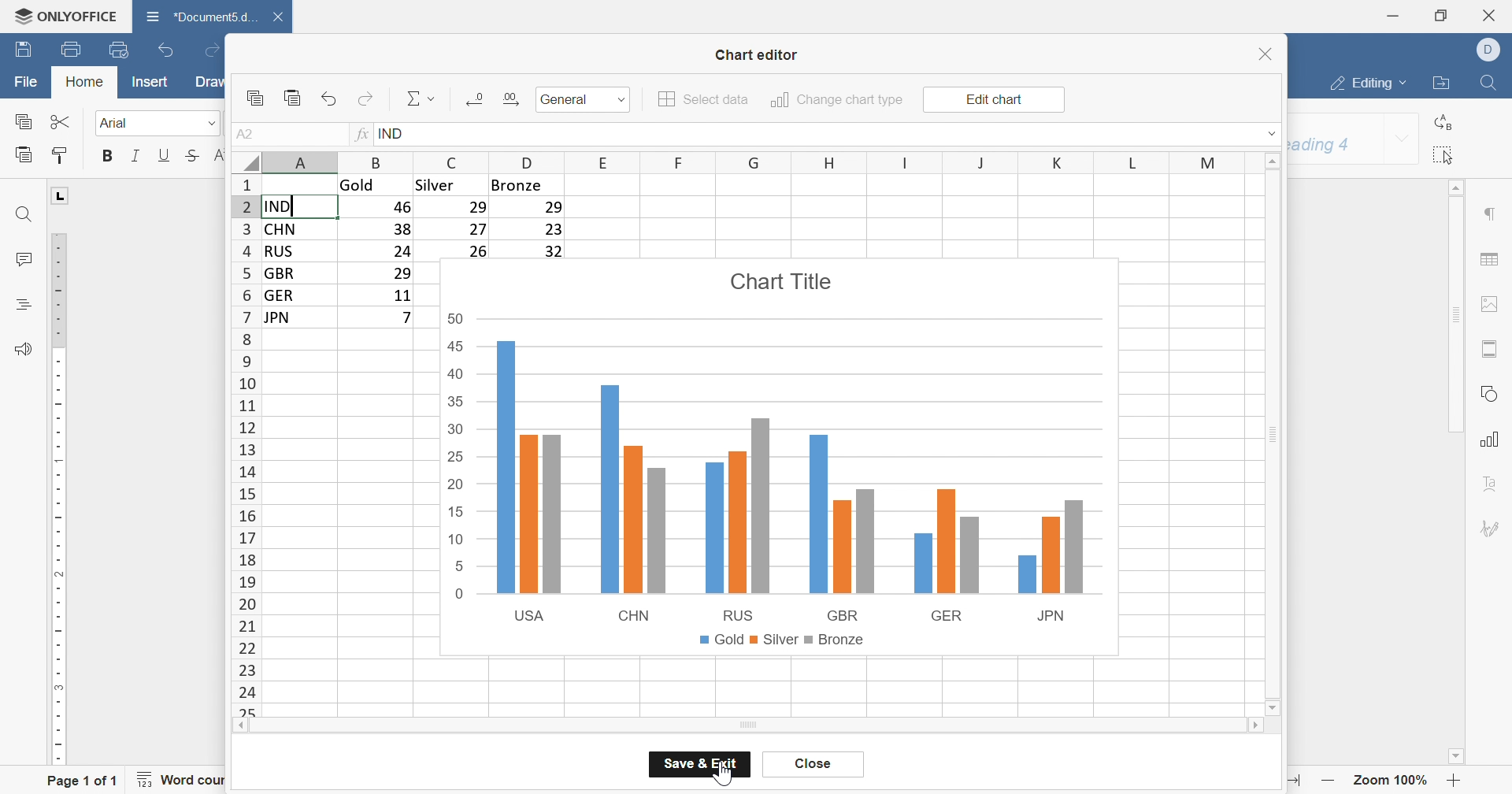 The image size is (1512, 794). Describe the element at coordinates (24, 350) in the screenshot. I see `feedback & support` at that location.